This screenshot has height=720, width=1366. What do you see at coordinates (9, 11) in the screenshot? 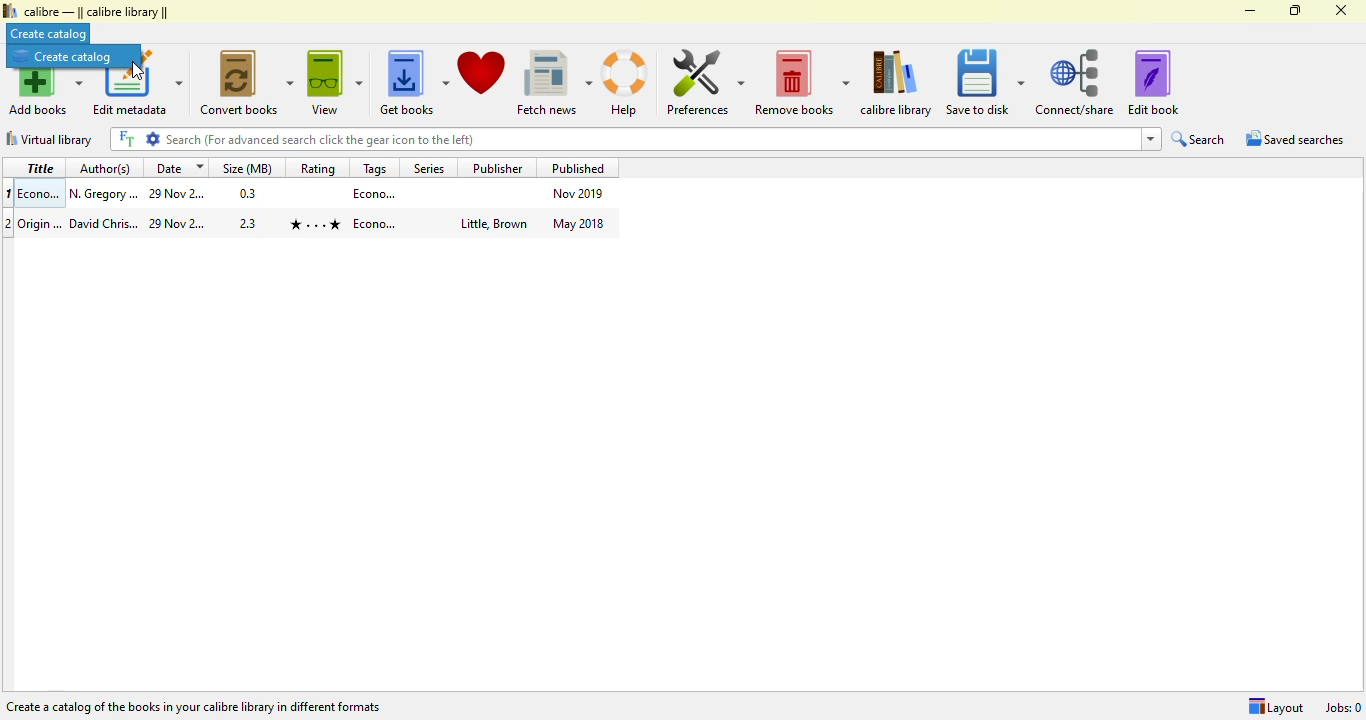
I see `logo` at bounding box center [9, 11].